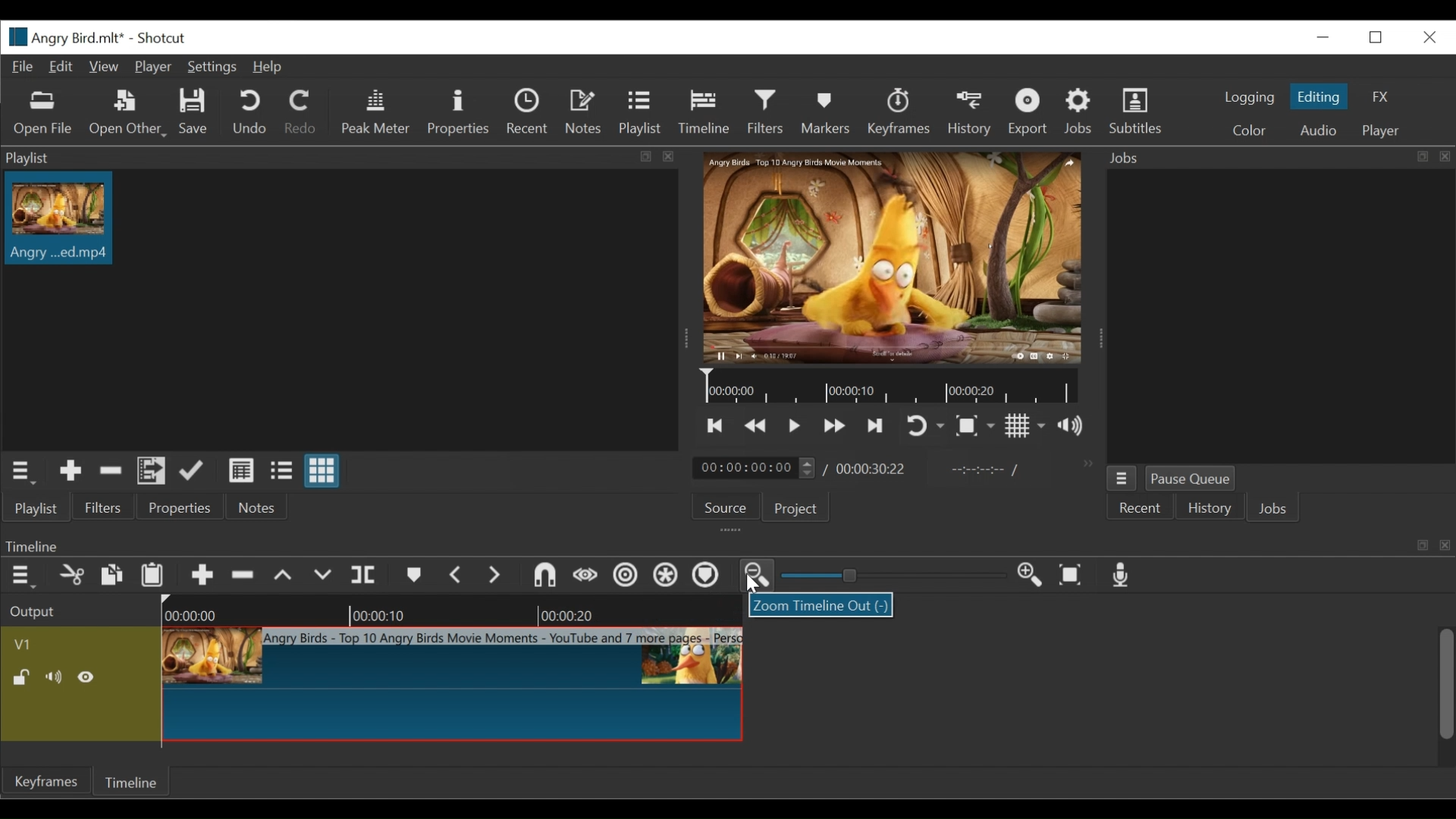 The width and height of the screenshot is (1456, 819). I want to click on Video track Name, so click(62, 644).